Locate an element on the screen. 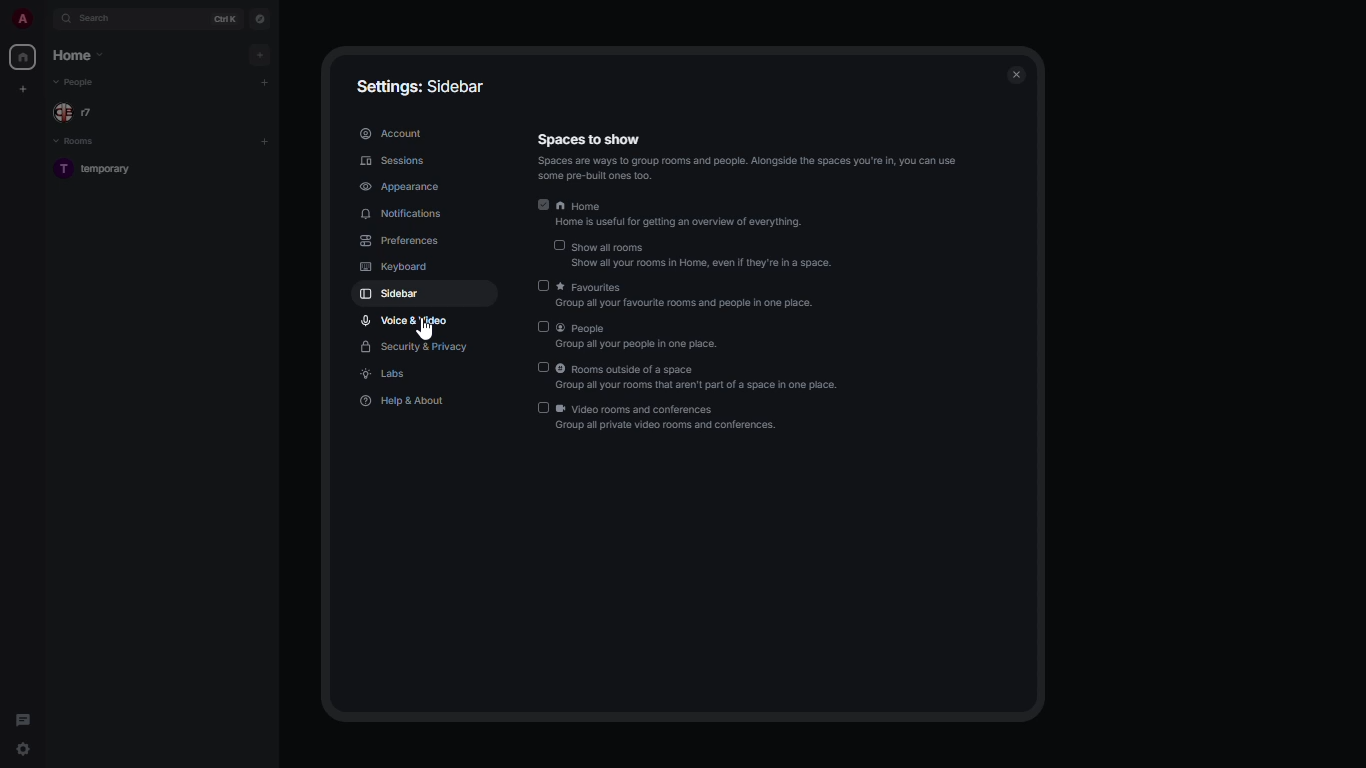 The width and height of the screenshot is (1366, 768). navigator is located at coordinates (261, 18).